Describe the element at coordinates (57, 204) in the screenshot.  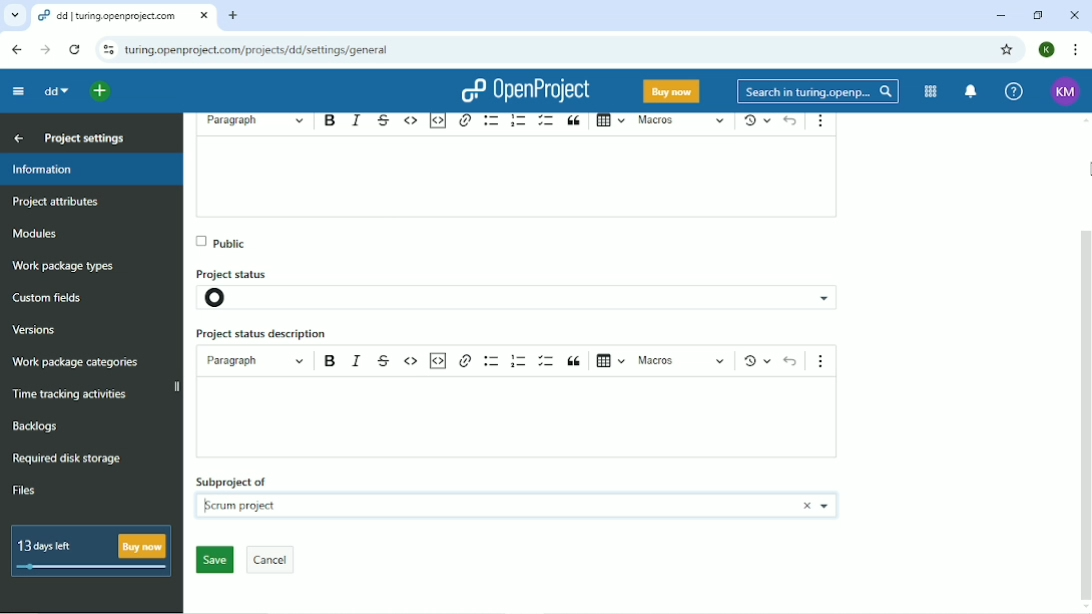
I see `Project attributes` at that location.